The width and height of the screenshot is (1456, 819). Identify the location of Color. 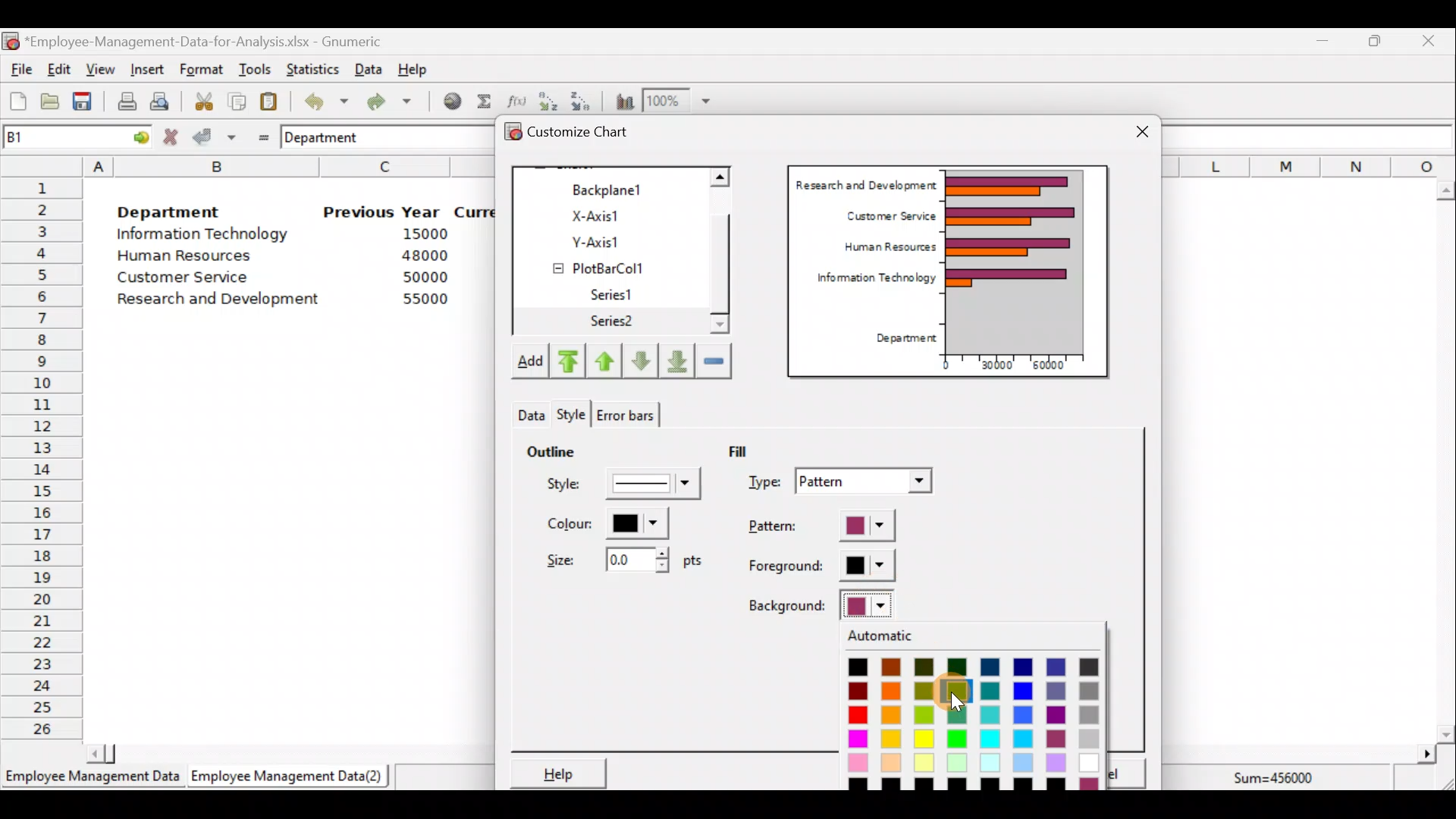
(604, 523).